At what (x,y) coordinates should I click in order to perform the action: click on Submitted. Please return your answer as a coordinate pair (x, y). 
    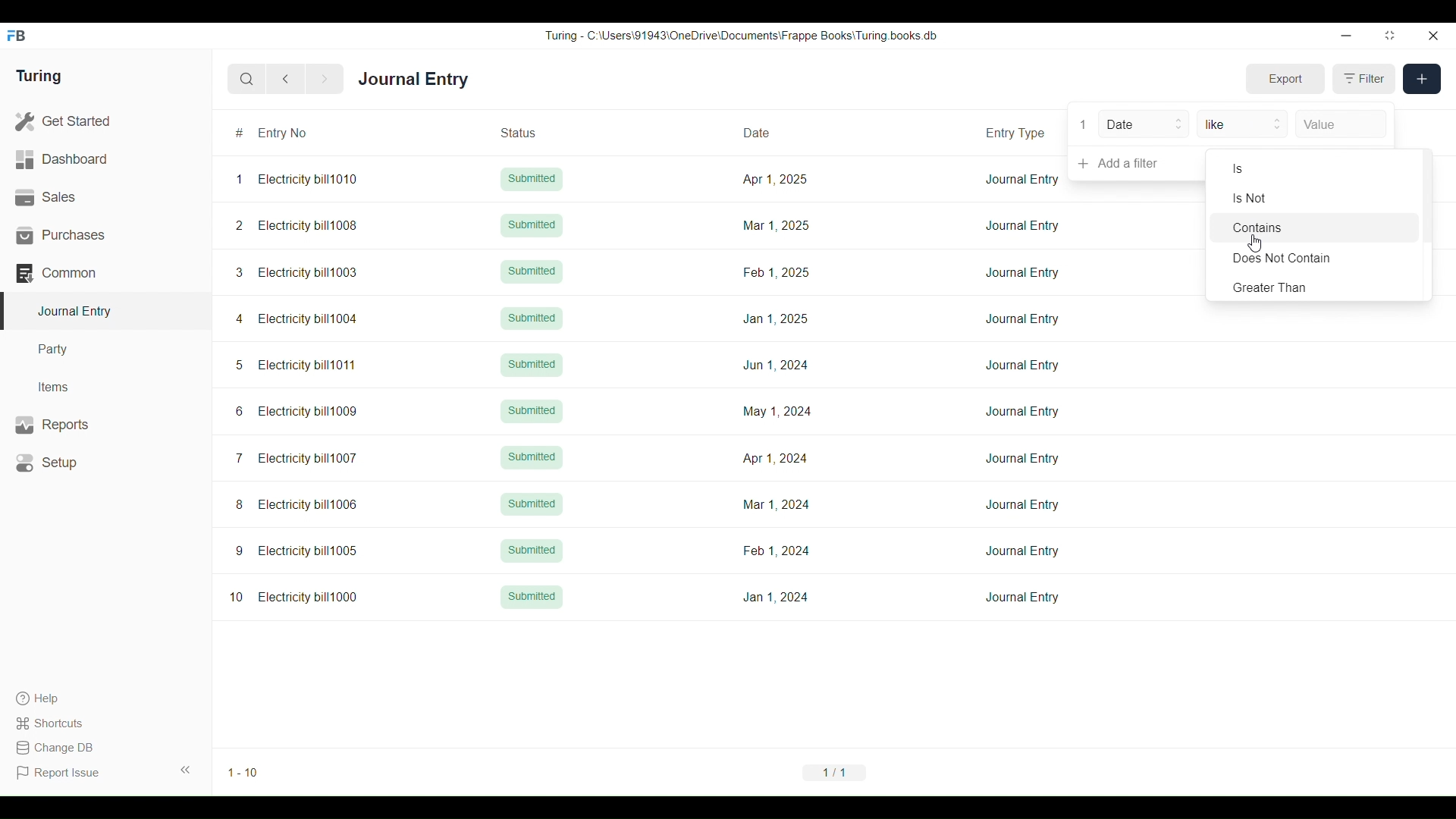
    Looking at the image, I should click on (532, 596).